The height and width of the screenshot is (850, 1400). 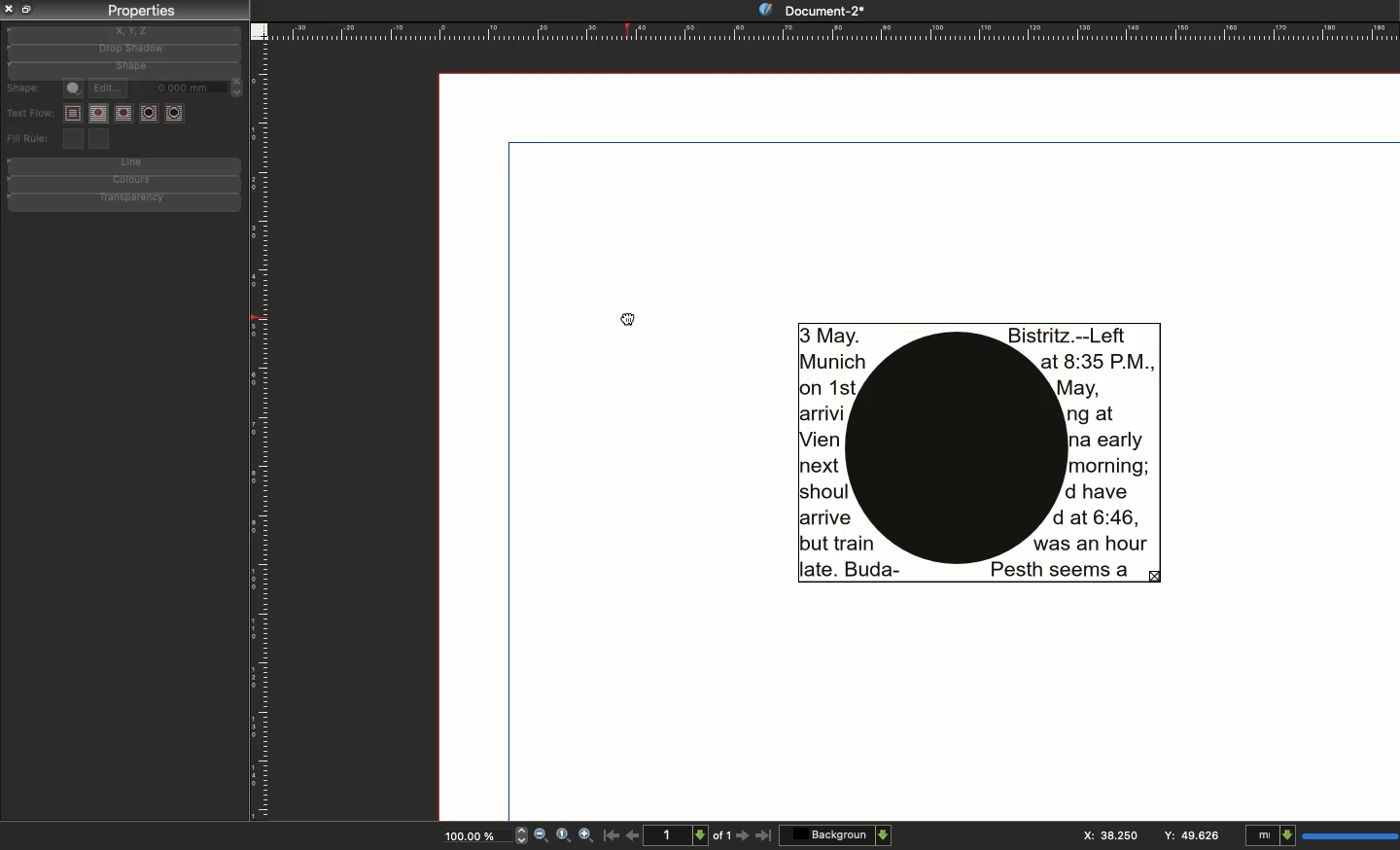 What do you see at coordinates (811, 10) in the screenshot?
I see `Document-2*` at bounding box center [811, 10].